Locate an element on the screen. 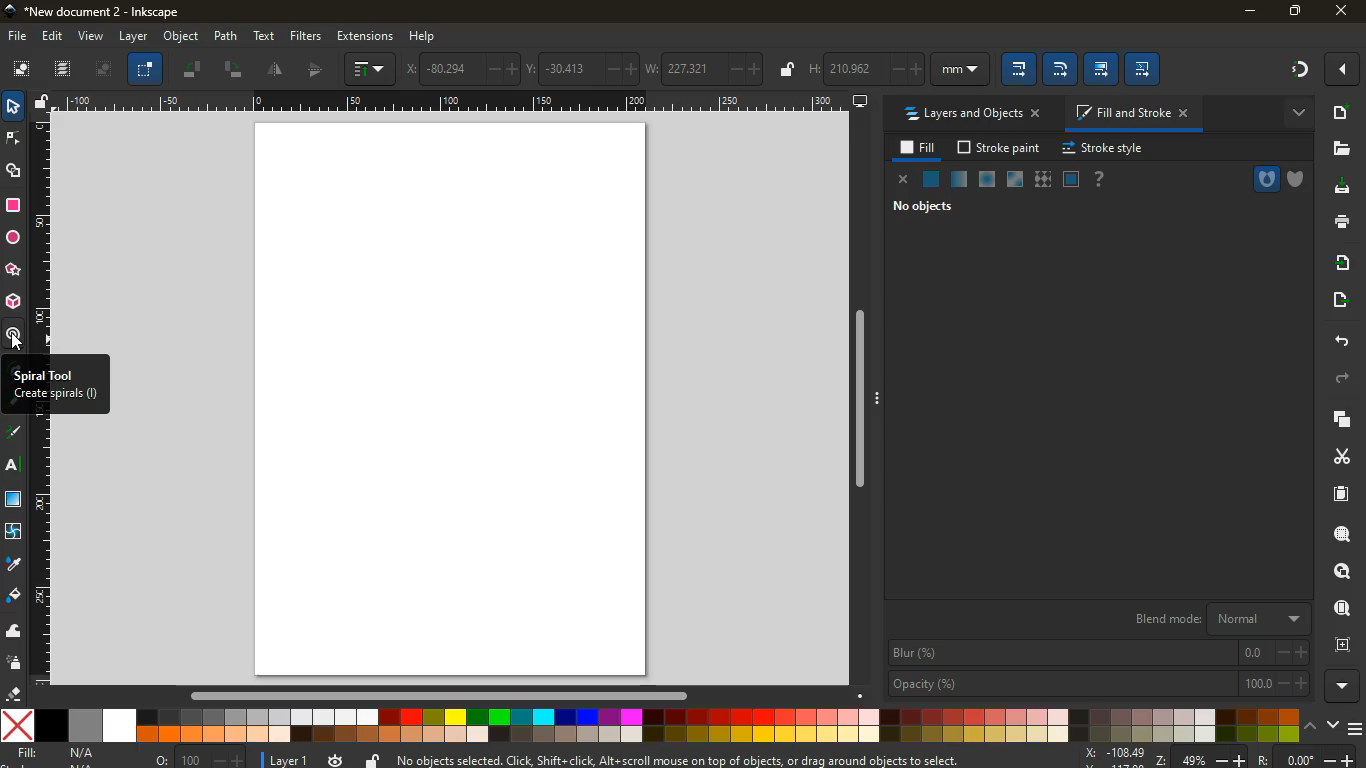  no objects is located at coordinates (915, 207).